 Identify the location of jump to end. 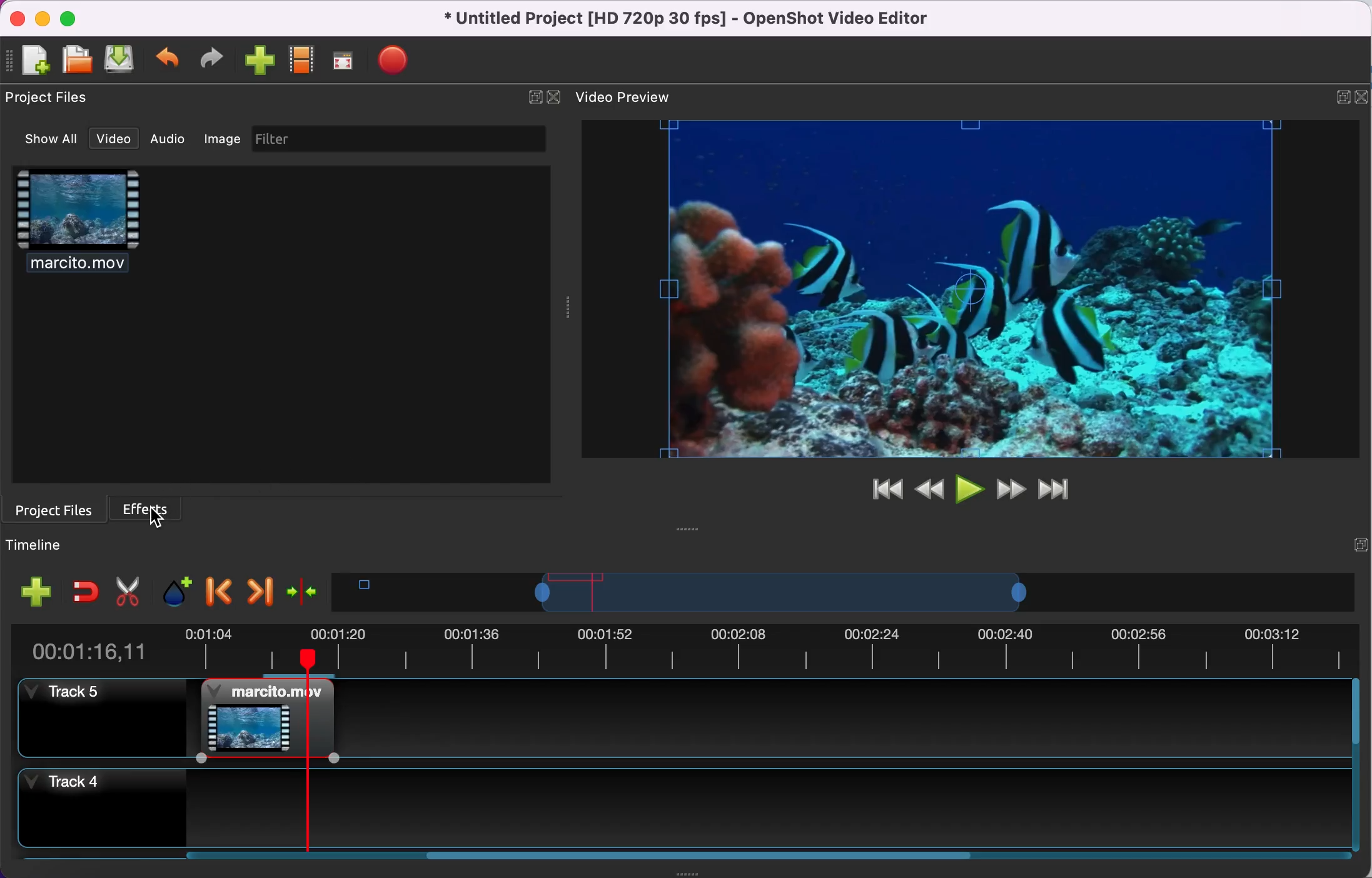
(1056, 490).